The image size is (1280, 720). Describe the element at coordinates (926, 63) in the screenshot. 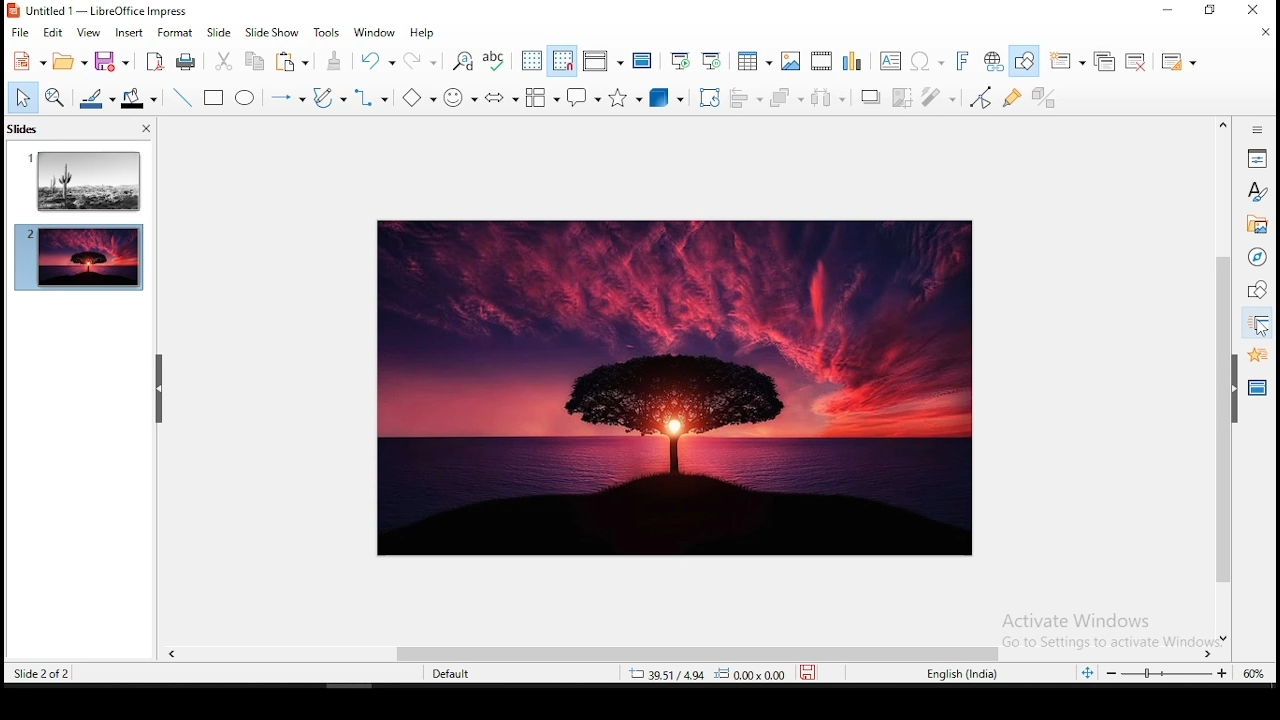

I see `special characters` at that location.